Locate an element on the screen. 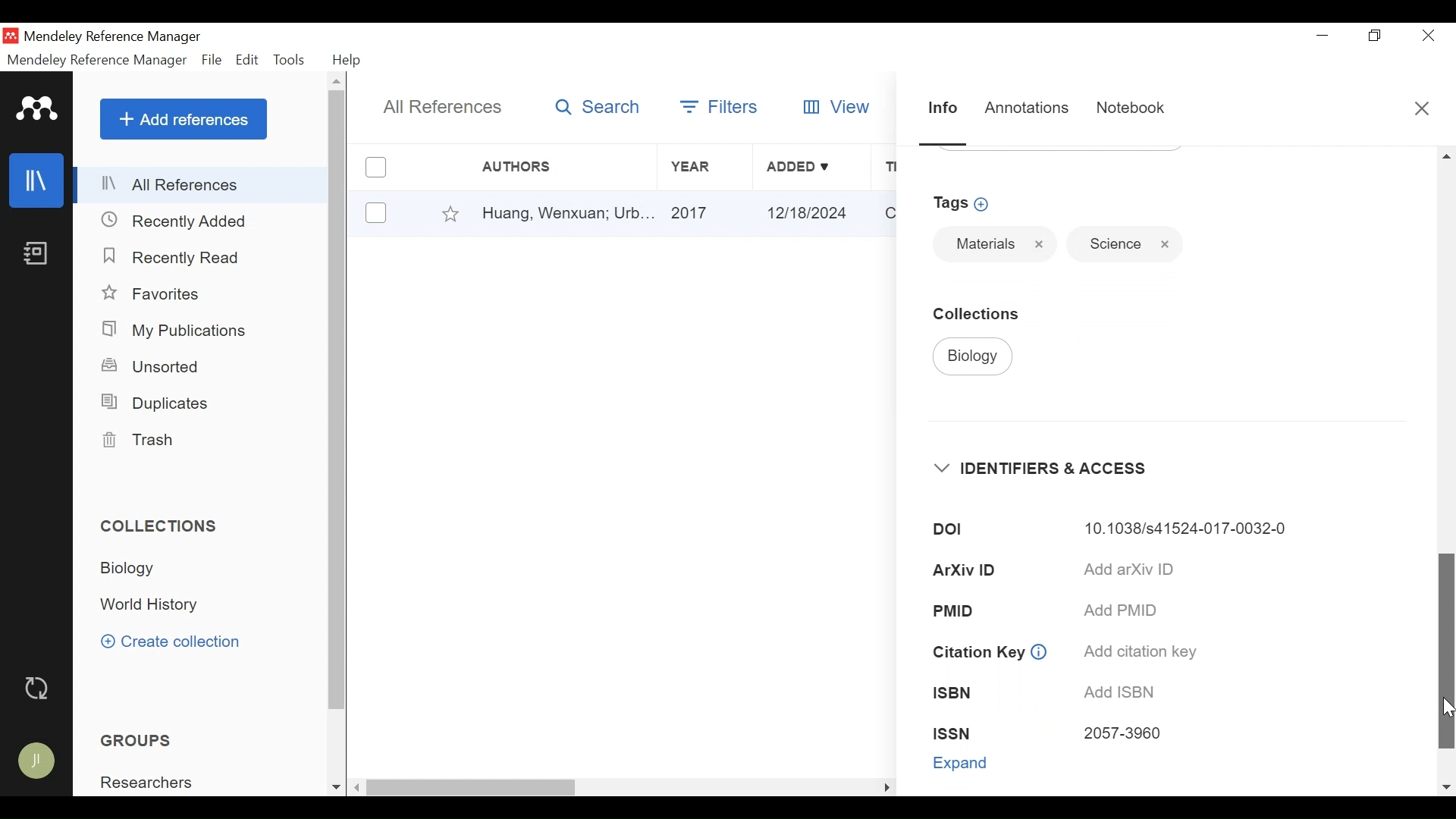 Image resolution: width=1456 pixels, height=819 pixels. Year is located at coordinates (703, 167).